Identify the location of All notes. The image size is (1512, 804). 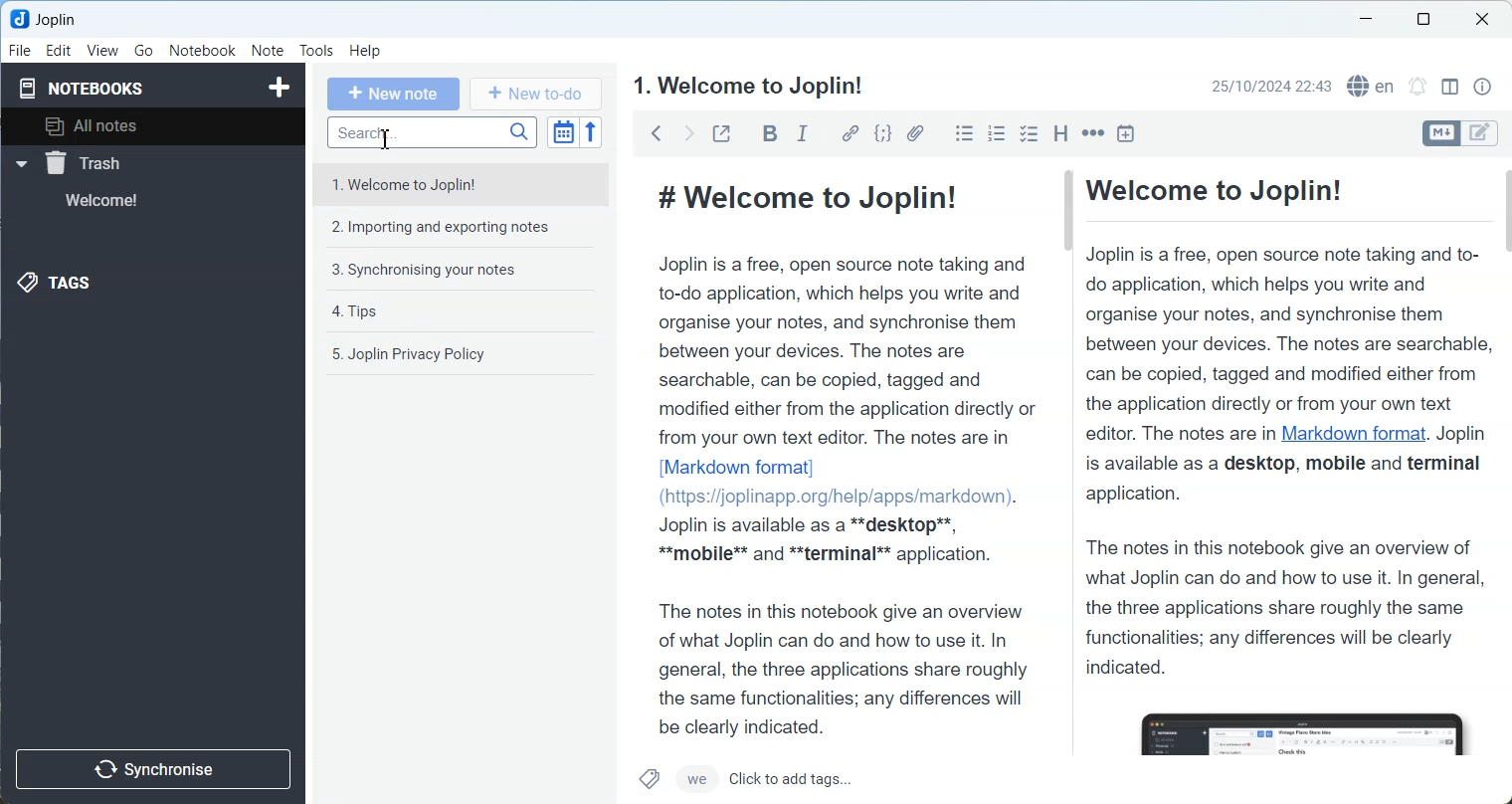
(160, 127).